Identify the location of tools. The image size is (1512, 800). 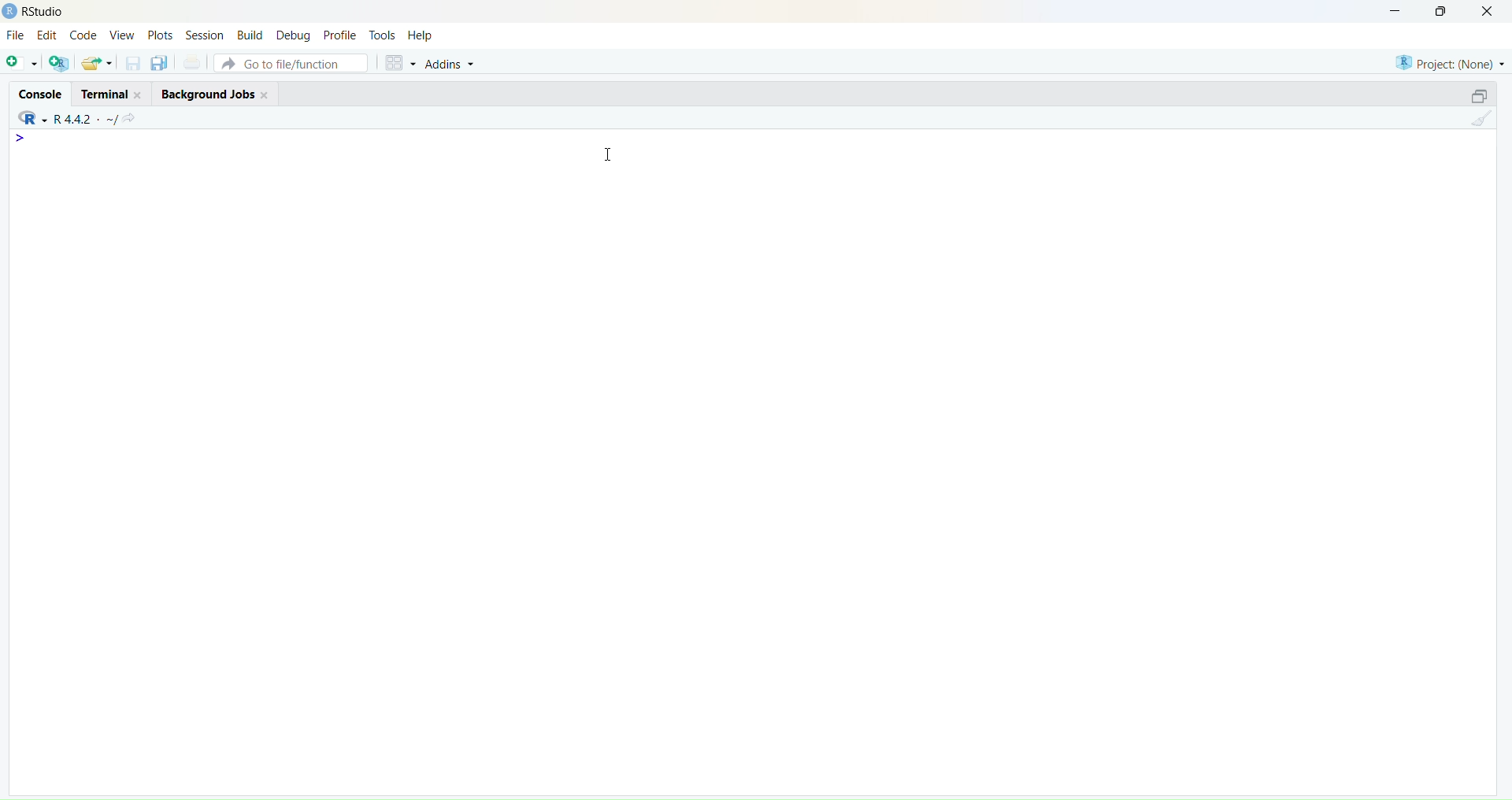
(382, 35).